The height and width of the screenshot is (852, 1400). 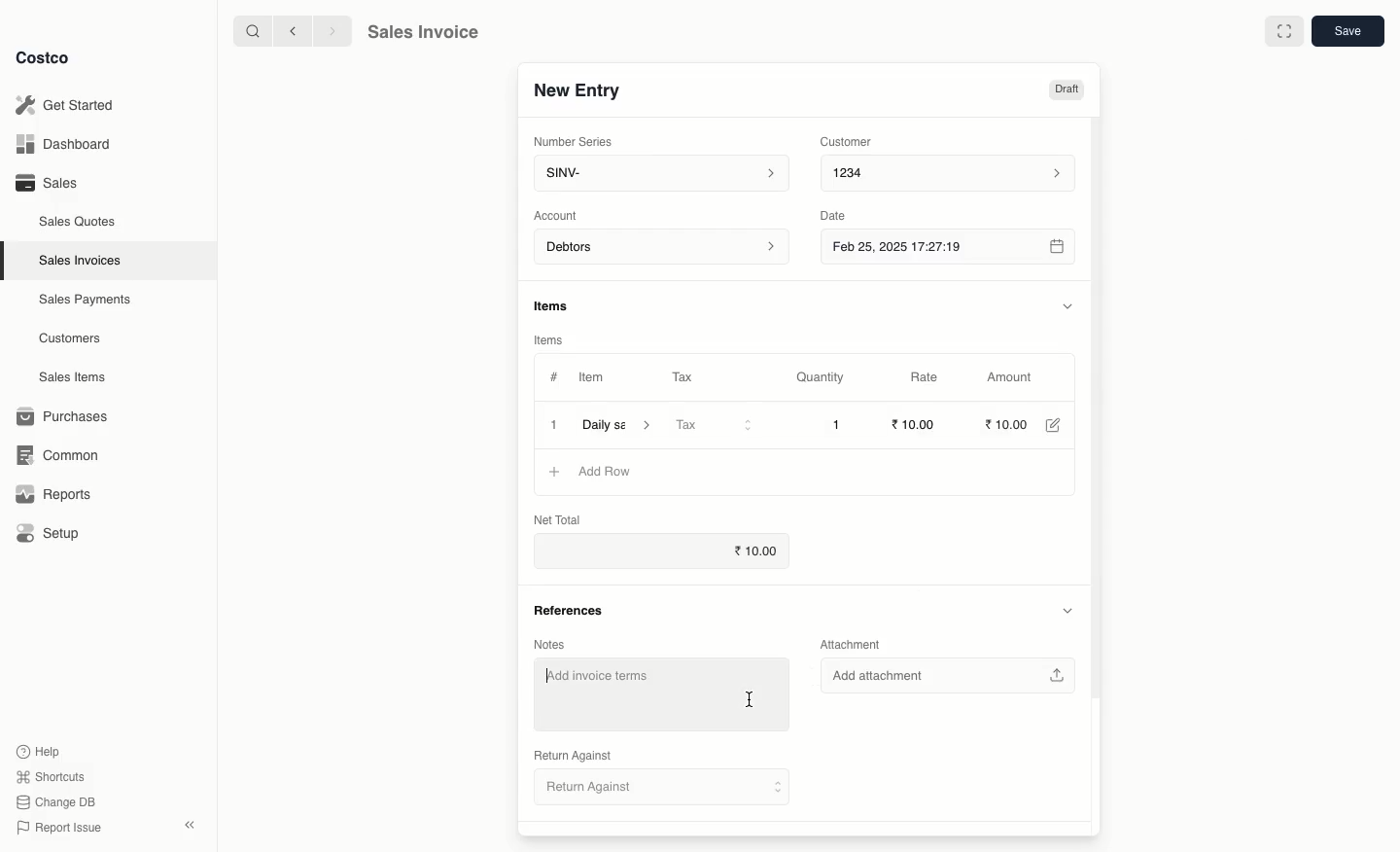 What do you see at coordinates (663, 790) in the screenshot?
I see `Retum Against ` at bounding box center [663, 790].